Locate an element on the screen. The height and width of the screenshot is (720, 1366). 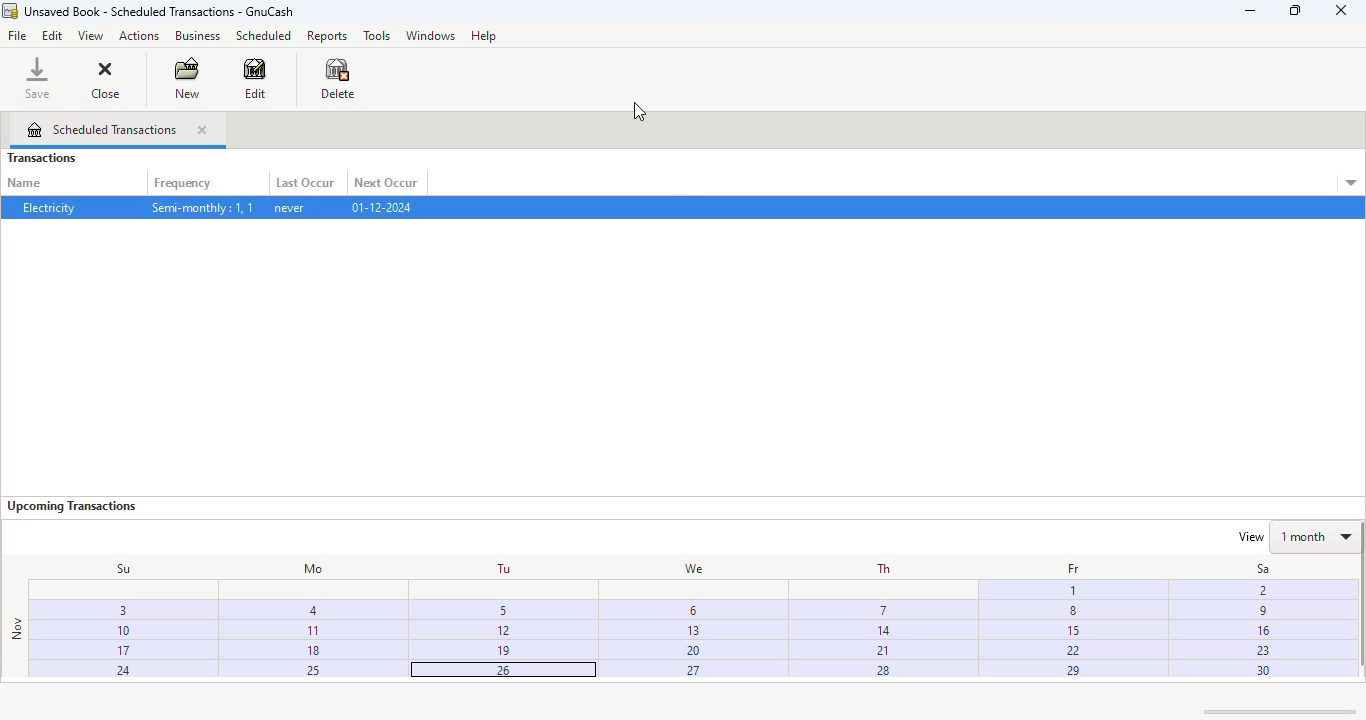
Su is located at coordinates (113, 568).